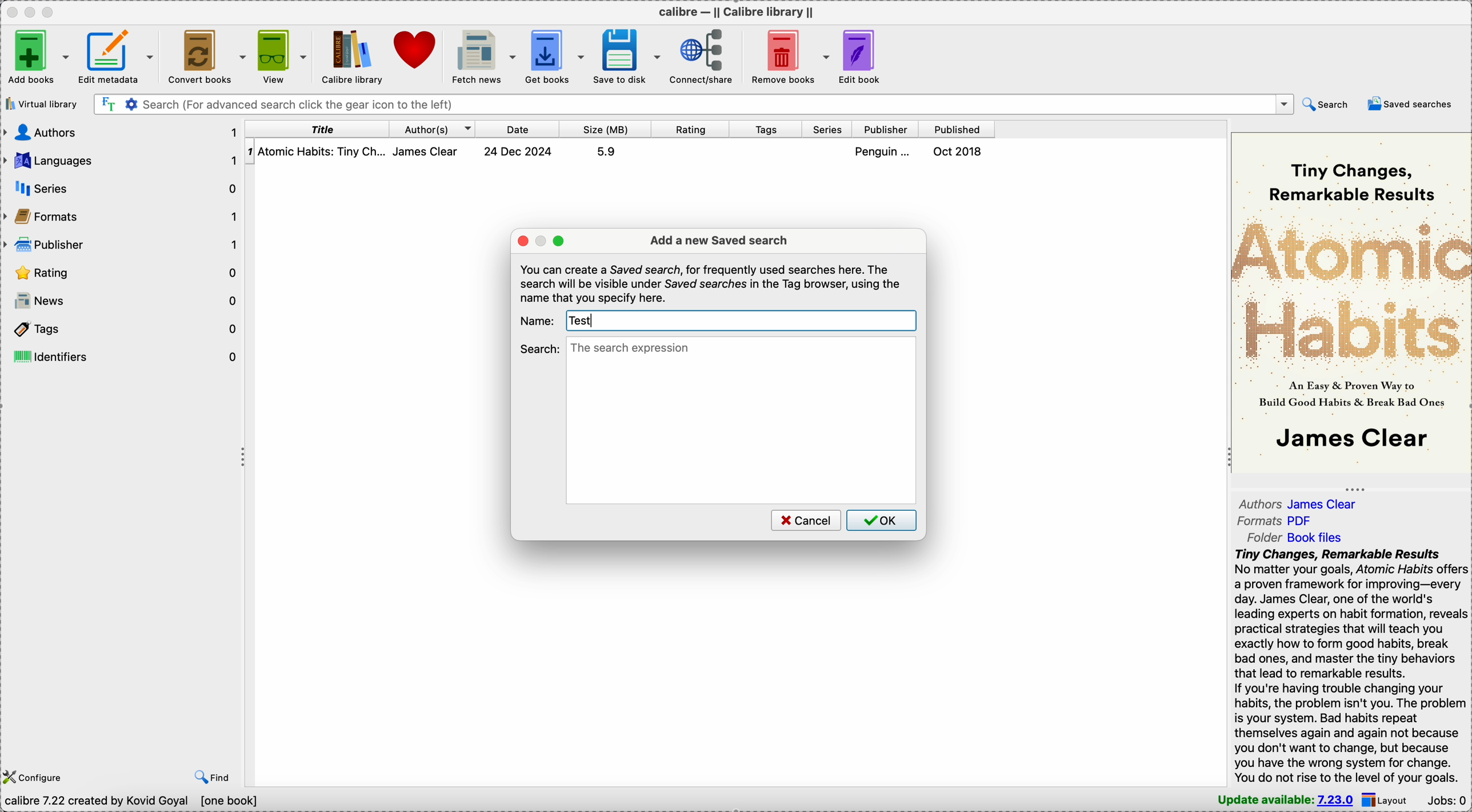  What do you see at coordinates (711, 283) in the screenshot?
I see `You can create a Saved search, for frequently used searches here. The search will be visible under Saved searches in the Tag browser, using the name that you specify here.` at bounding box center [711, 283].